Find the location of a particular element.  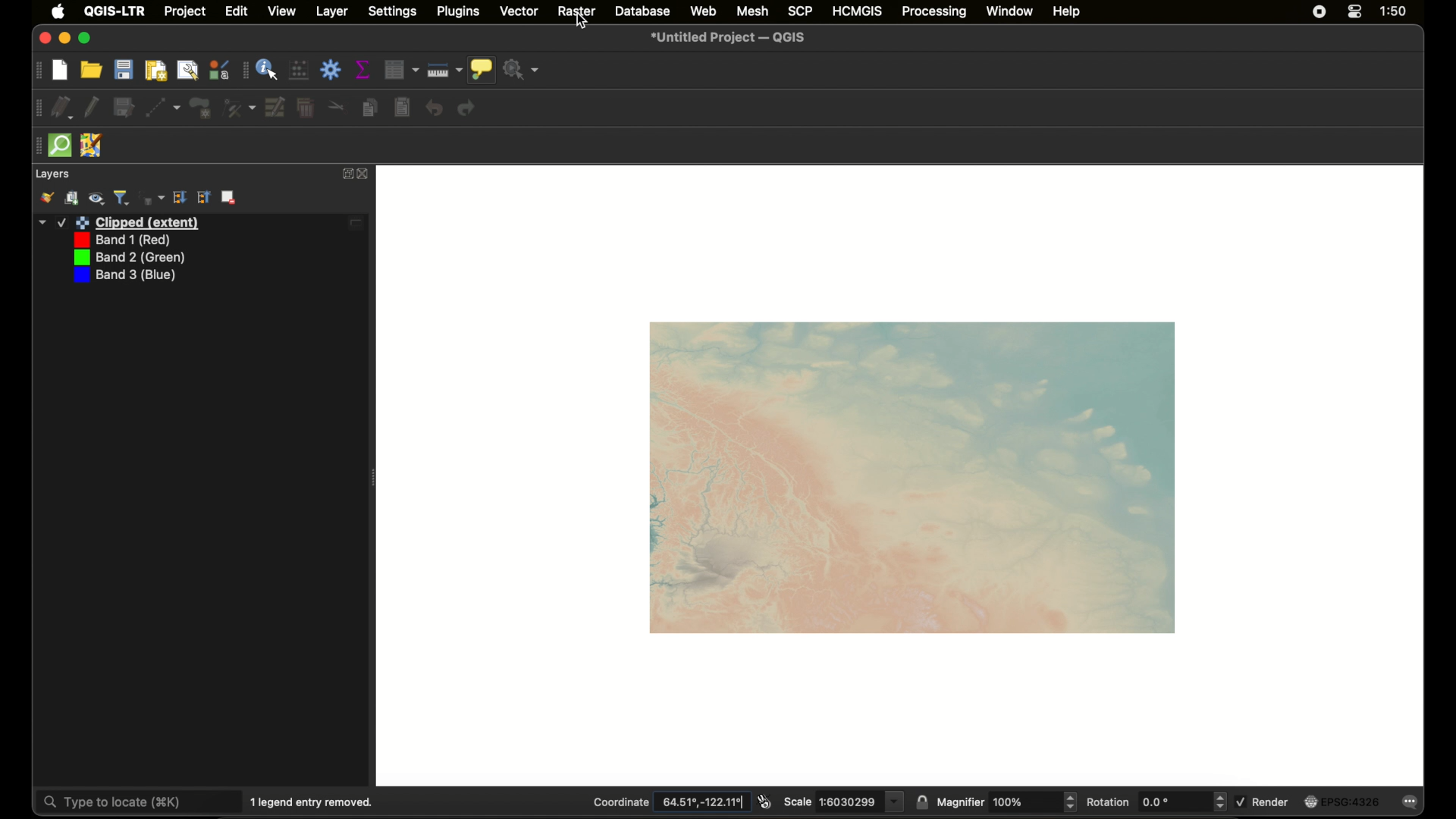

view is located at coordinates (281, 11).